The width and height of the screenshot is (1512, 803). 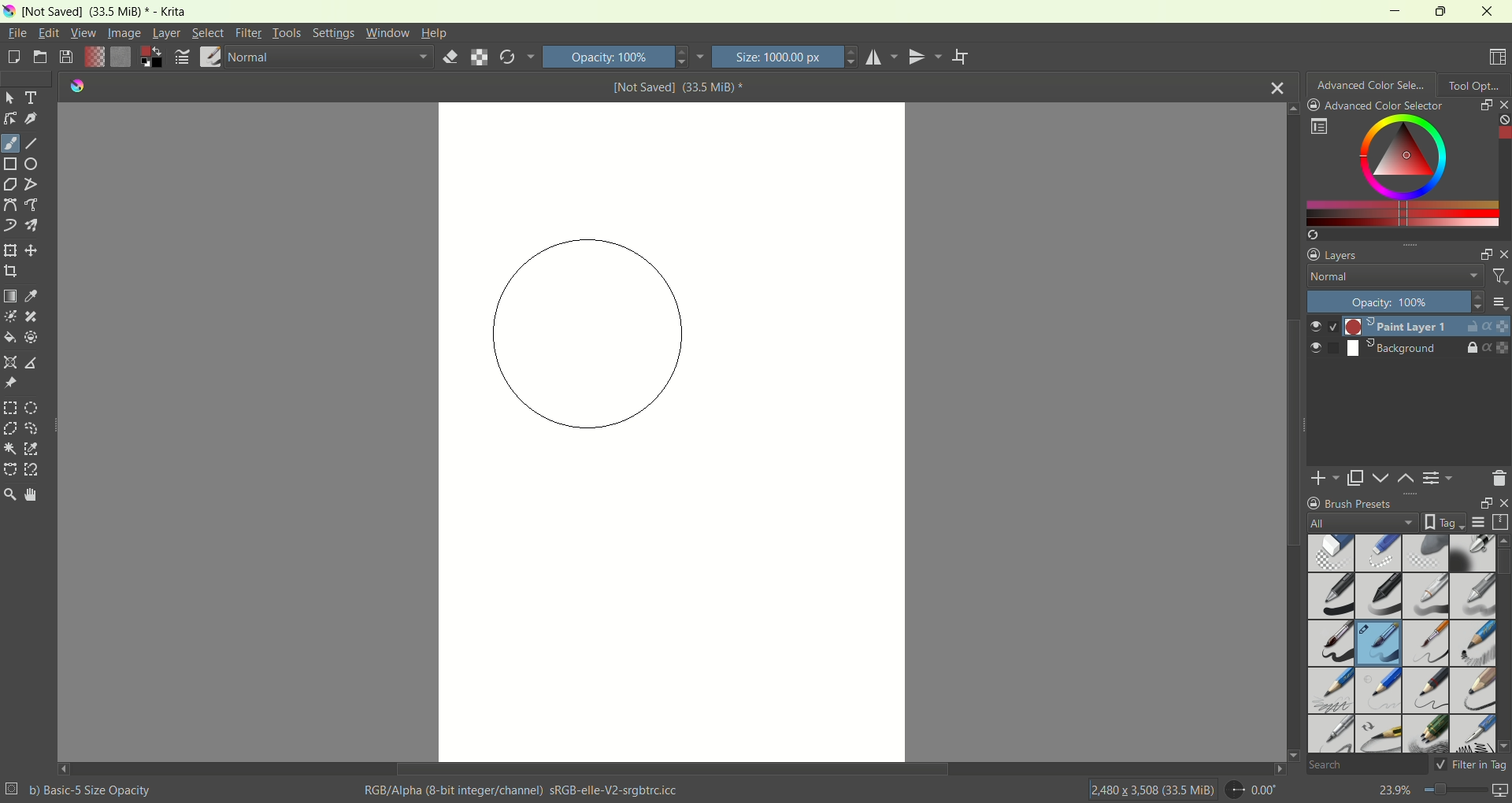 What do you see at coordinates (1478, 523) in the screenshot?
I see `display` at bounding box center [1478, 523].